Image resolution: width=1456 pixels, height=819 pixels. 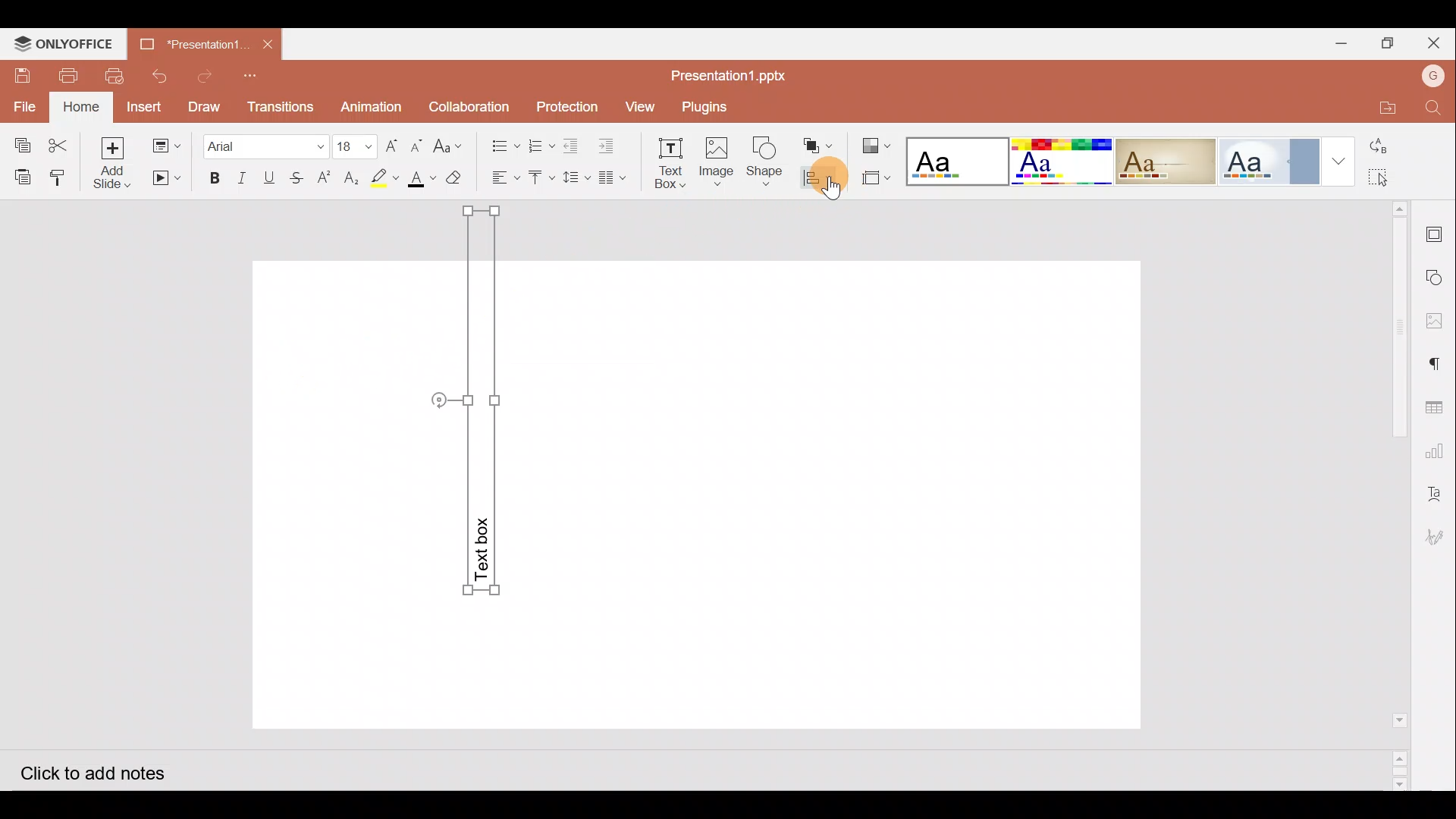 I want to click on Redo, so click(x=206, y=76).